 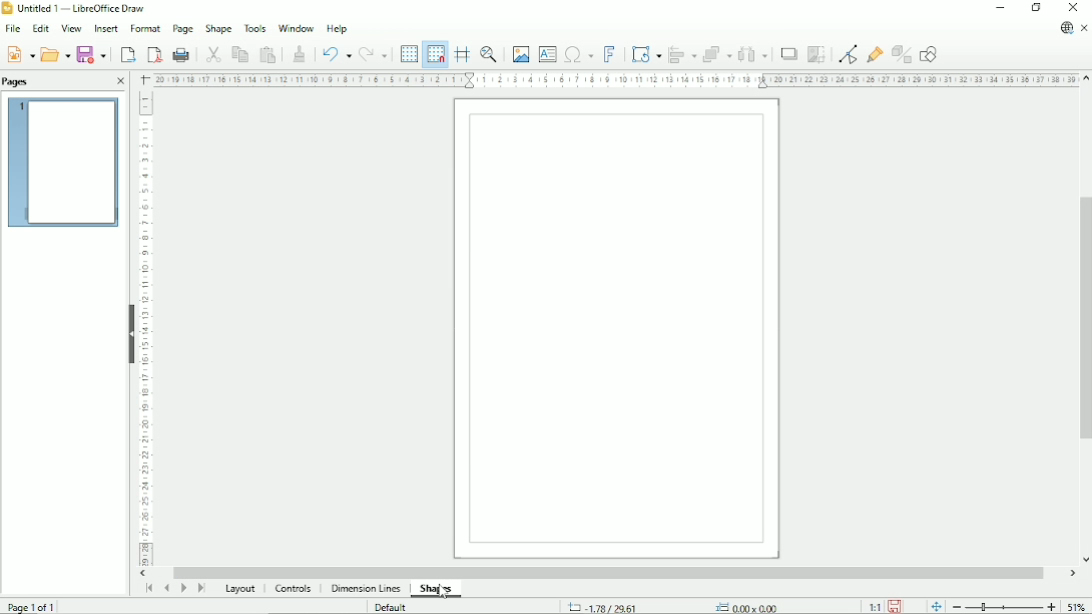 What do you see at coordinates (578, 53) in the screenshot?
I see `Insert special characters` at bounding box center [578, 53].